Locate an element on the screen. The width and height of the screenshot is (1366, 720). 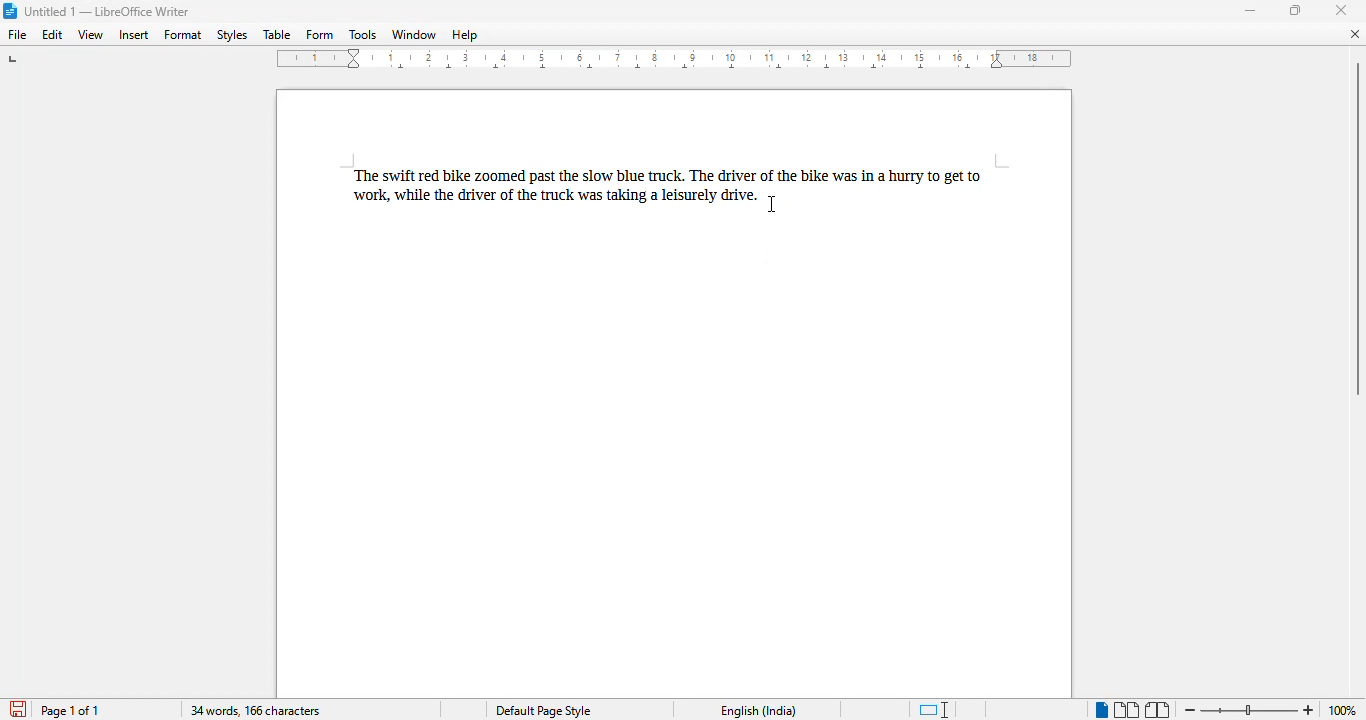
maximize is located at coordinates (1297, 10).